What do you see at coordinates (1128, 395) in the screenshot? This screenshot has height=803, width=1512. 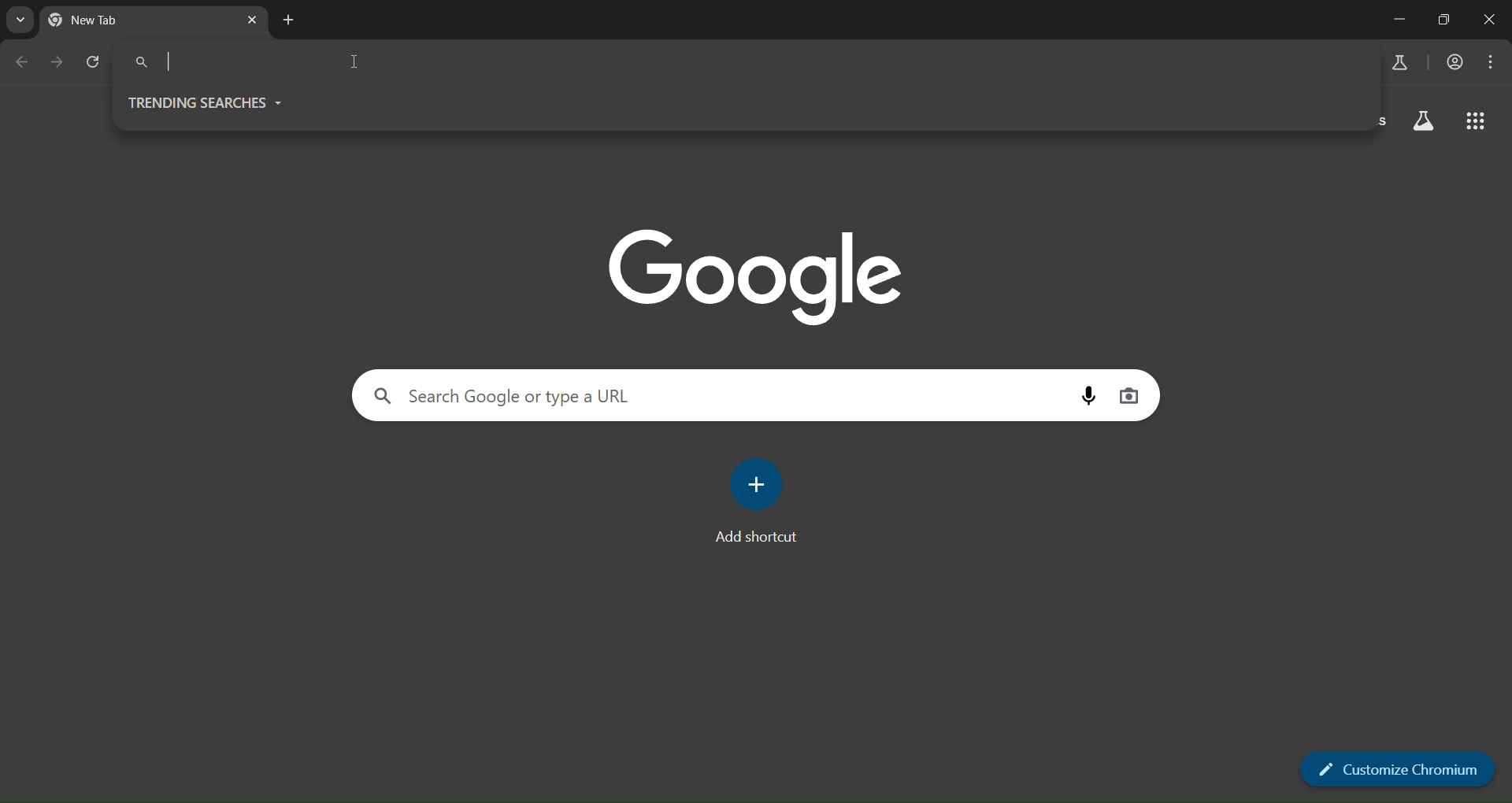 I see `image search` at bounding box center [1128, 395].